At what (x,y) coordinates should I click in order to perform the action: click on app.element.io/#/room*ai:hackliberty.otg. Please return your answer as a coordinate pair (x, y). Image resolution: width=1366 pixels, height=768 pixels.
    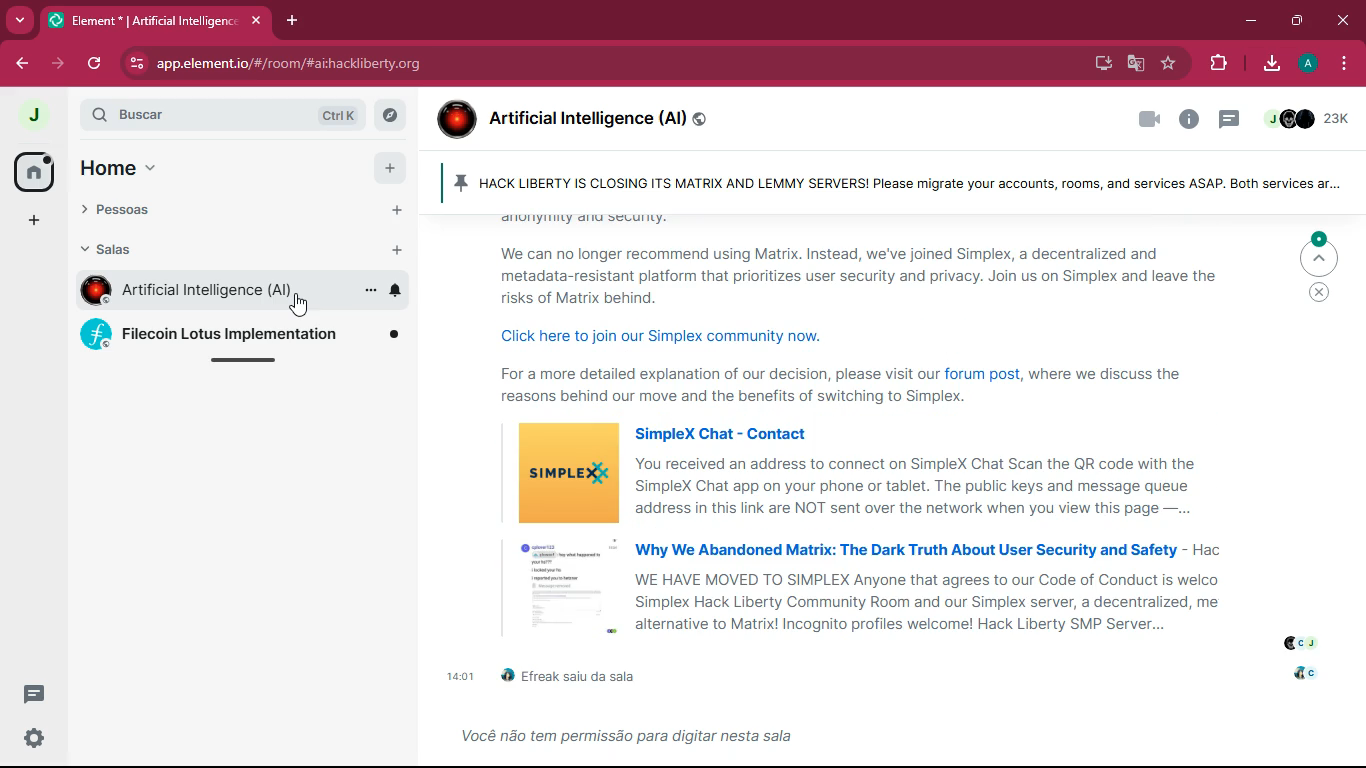
    Looking at the image, I should click on (326, 64).